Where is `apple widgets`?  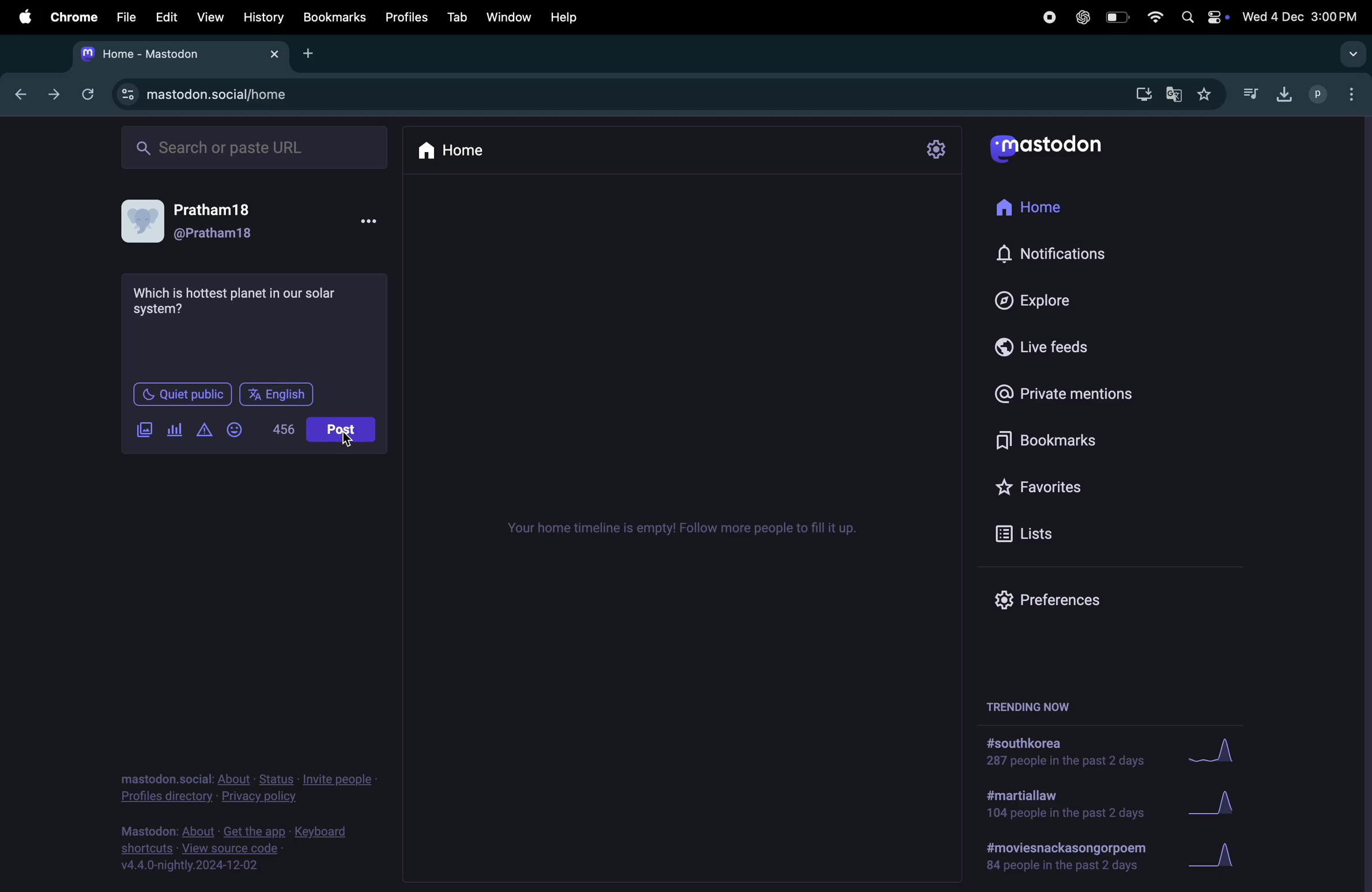 apple widgets is located at coordinates (1201, 19).